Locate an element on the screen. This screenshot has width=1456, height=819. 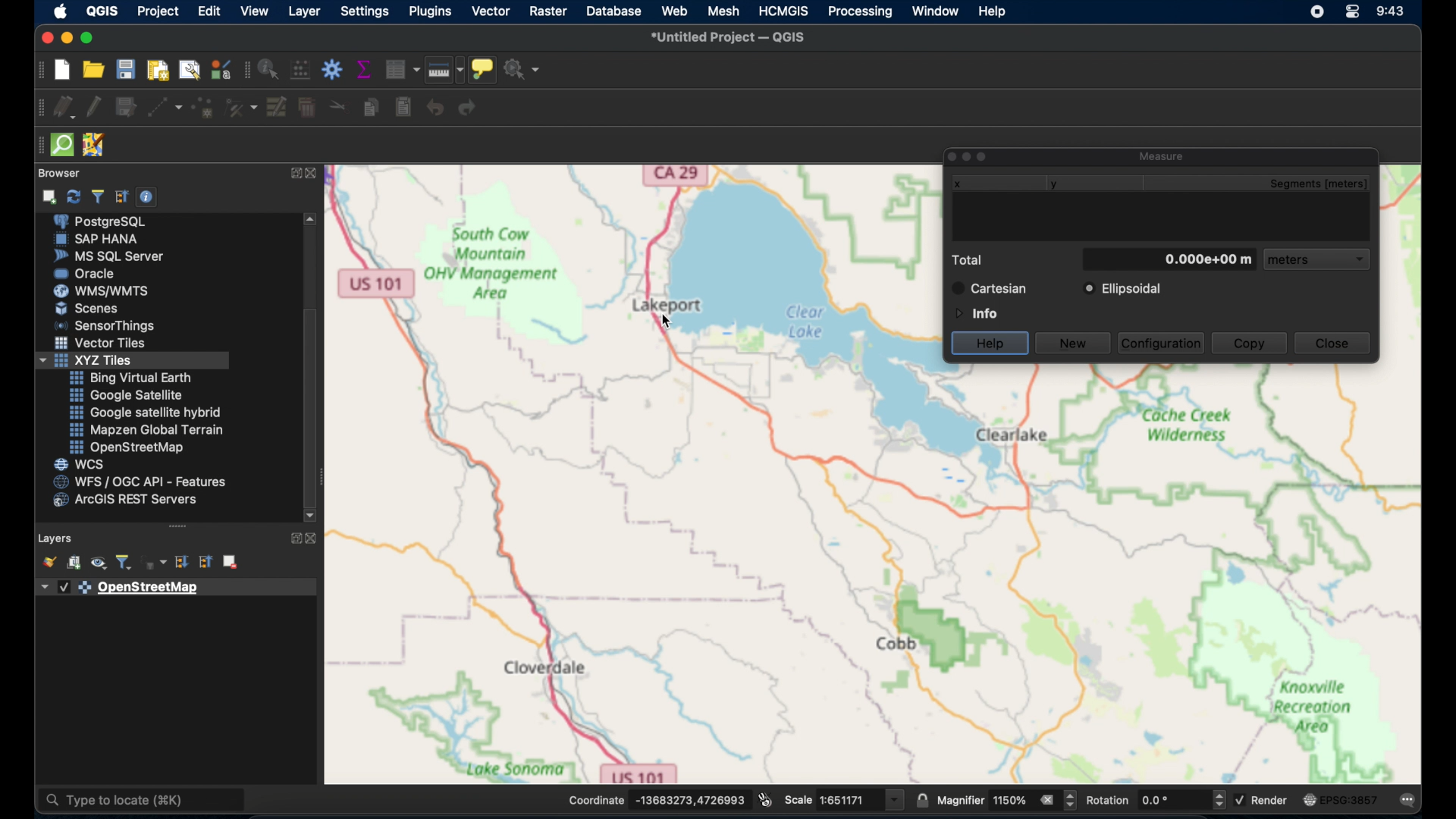
window is located at coordinates (937, 11).